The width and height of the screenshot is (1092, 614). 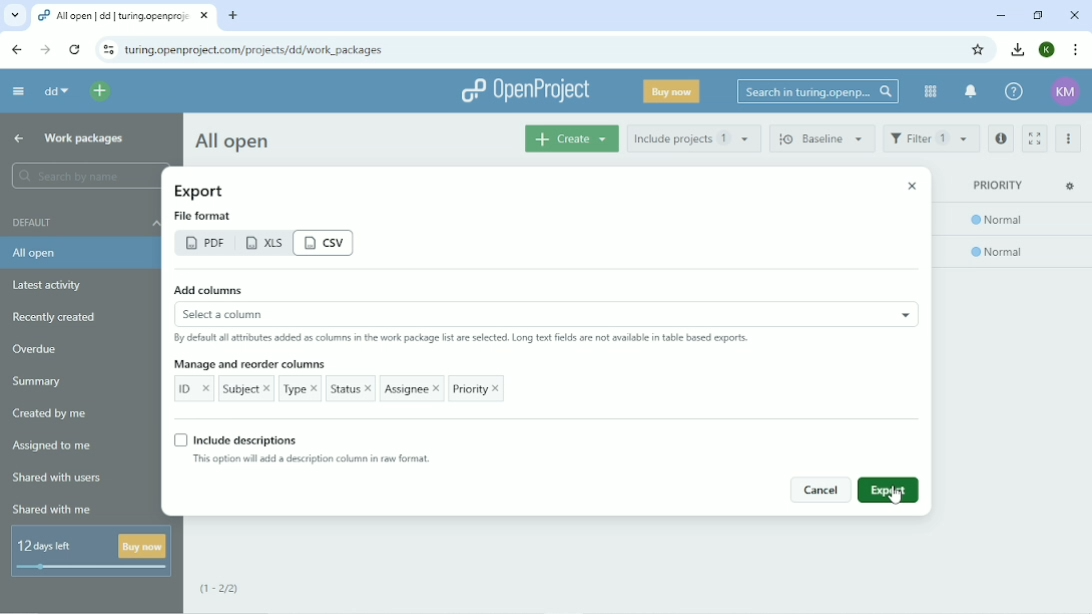 What do you see at coordinates (1001, 257) in the screenshot?
I see `normal` at bounding box center [1001, 257].